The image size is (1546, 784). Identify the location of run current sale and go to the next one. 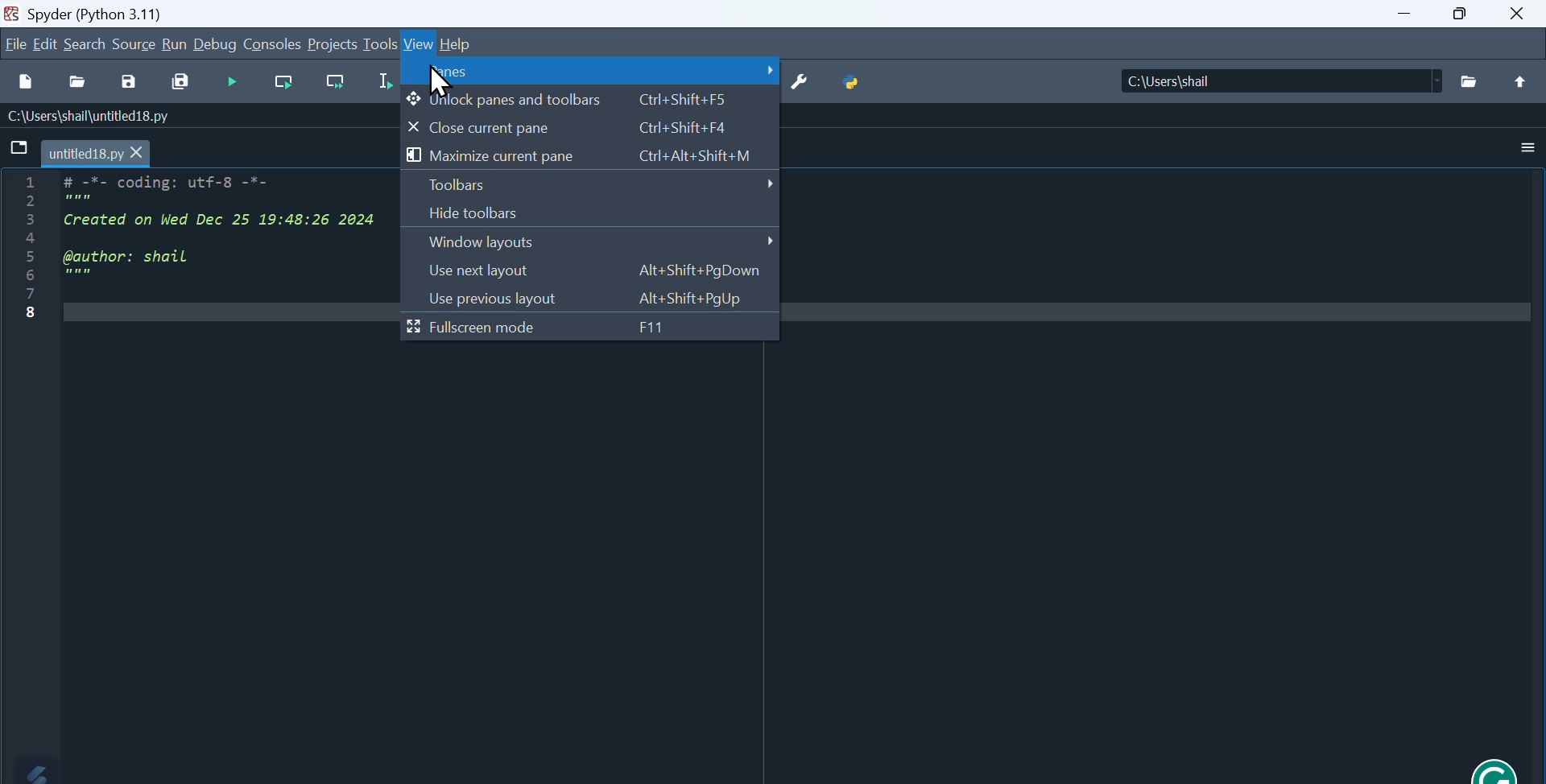
(338, 81).